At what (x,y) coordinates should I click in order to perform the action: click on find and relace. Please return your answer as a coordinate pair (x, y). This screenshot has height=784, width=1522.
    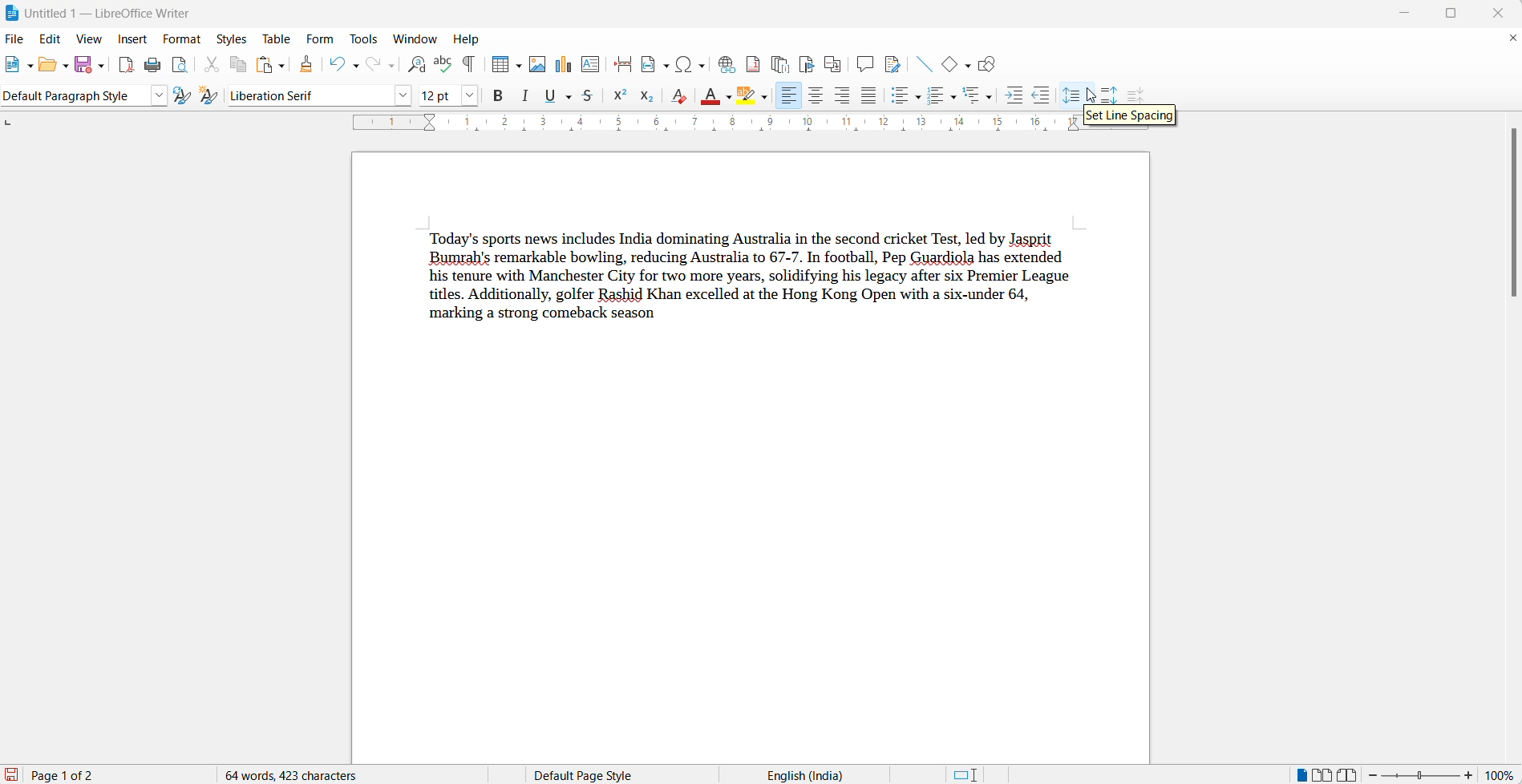
    Looking at the image, I should click on (417, 66).